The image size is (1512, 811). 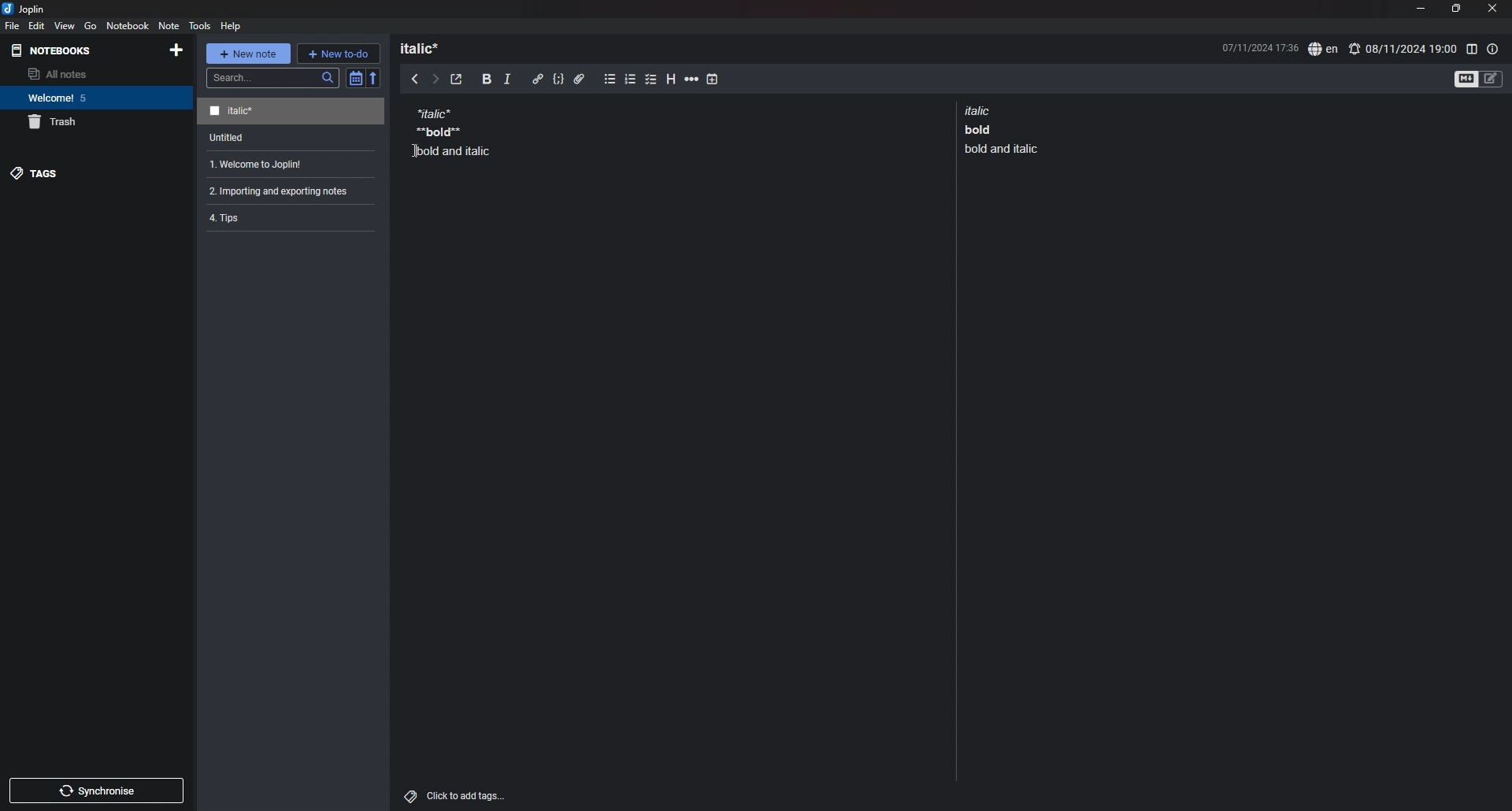 What do you see at coordinates (1323, 50) in the screenshot?
I see `spell check` at bounding box center [1323, 50].